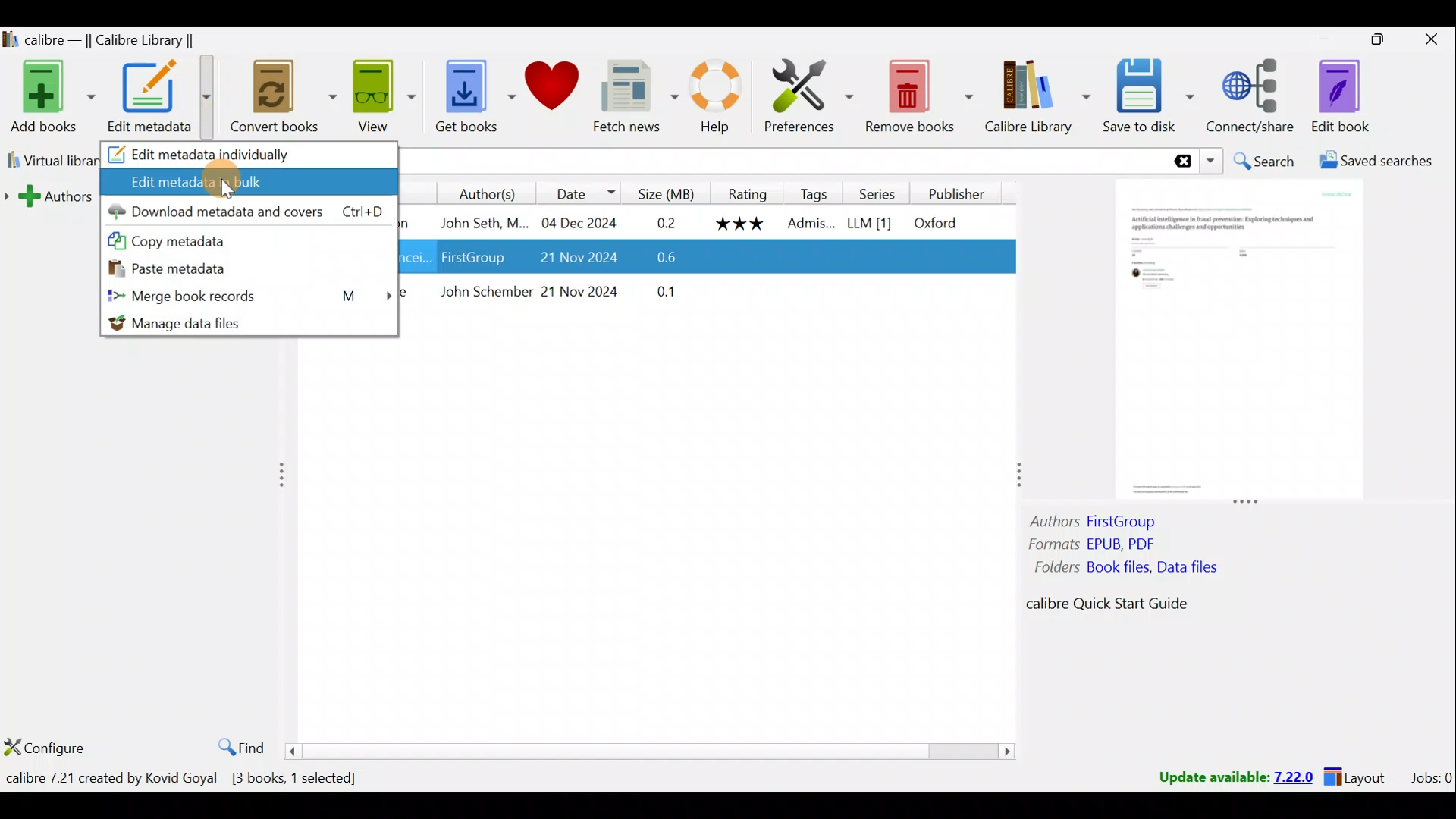 This screenshot has width=1456, height=819. What do you see at coordinates (1430, 777) in the screenshot?
I see `Jobs` at bounding box center [1430, 777].